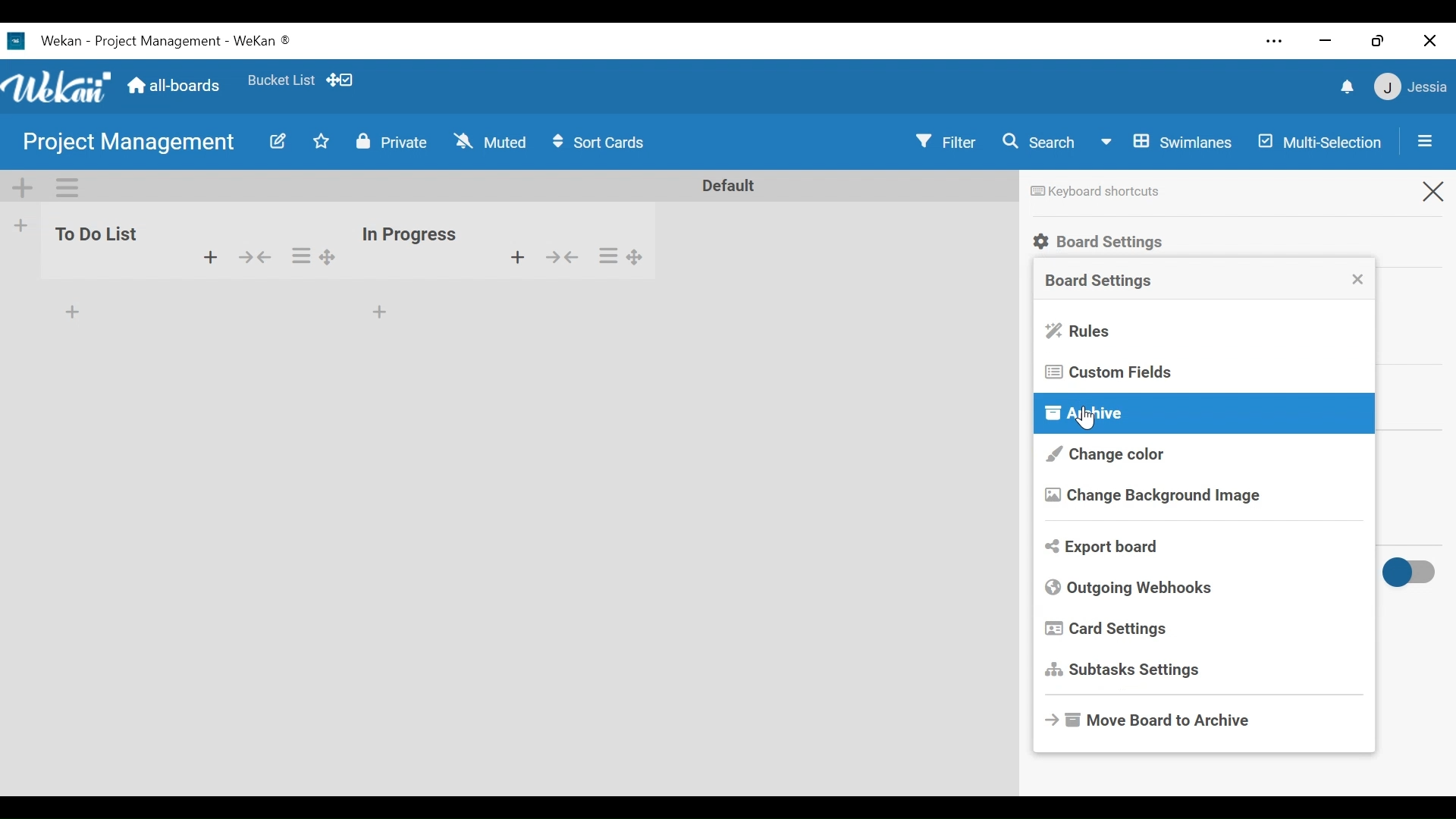 The image size is (1456, 819). What do you see at coordinates (1202, 413) in the screenshot?
I see `Archive` at bounding box center [1202, 413].